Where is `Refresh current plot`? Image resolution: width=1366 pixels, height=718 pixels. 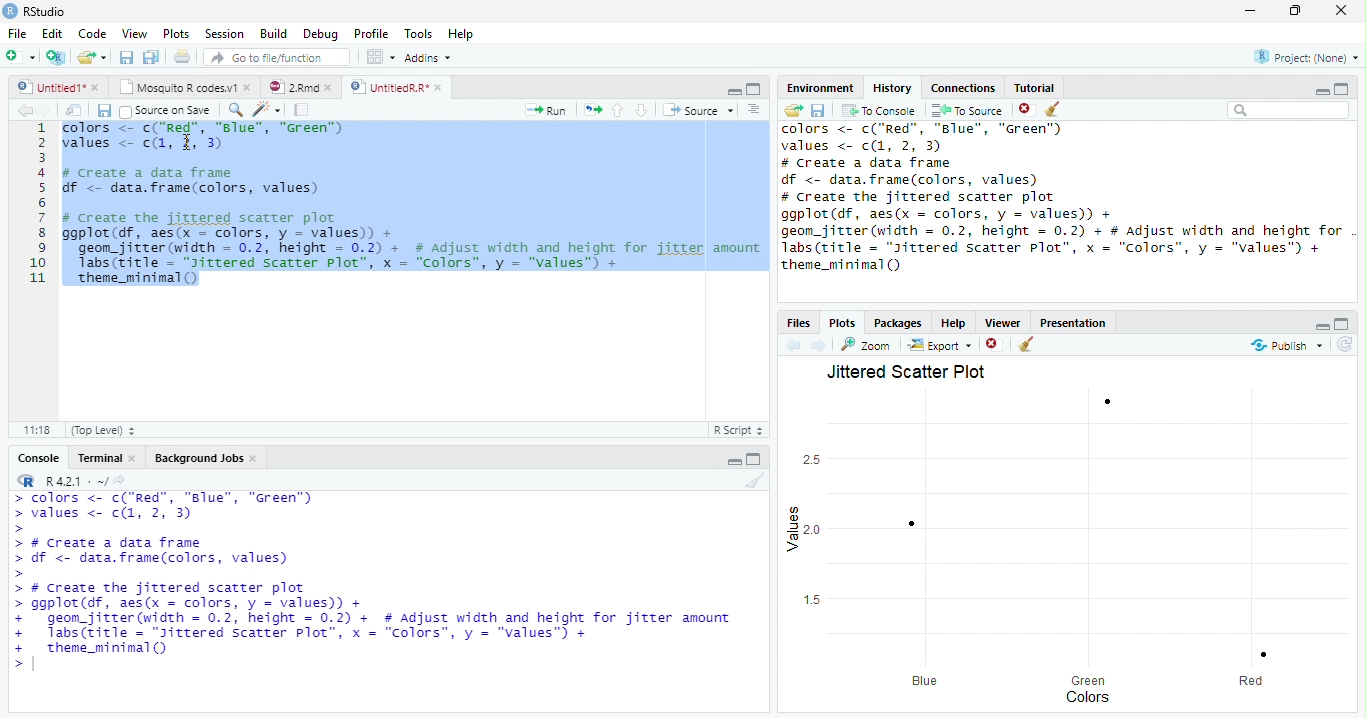
Refresh current plot is located at coordinates (1345, 345).